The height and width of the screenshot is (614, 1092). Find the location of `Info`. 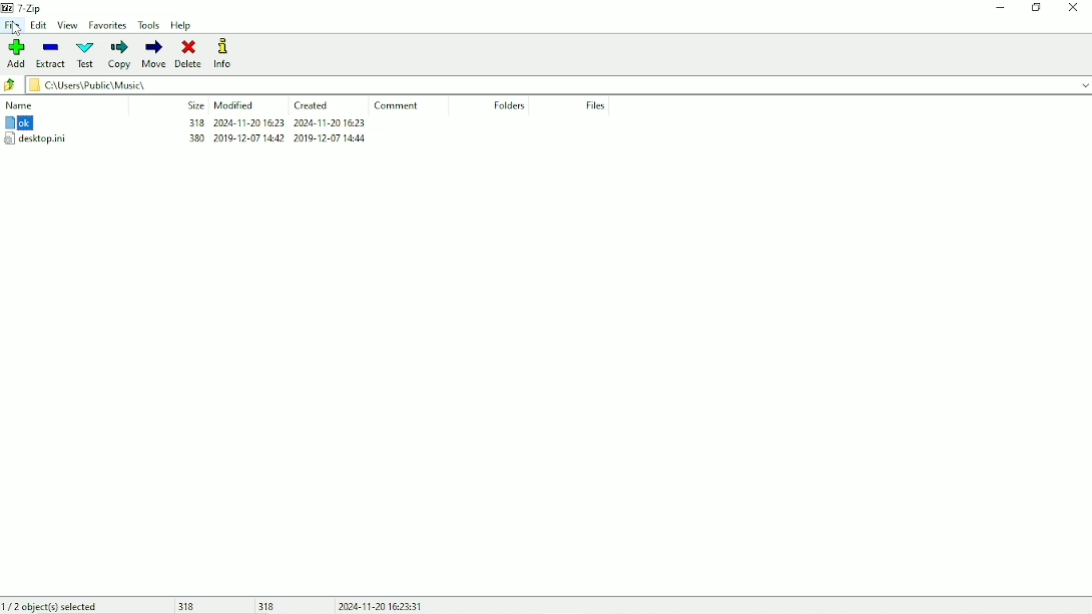

Info is located at coordinates (225, 53).